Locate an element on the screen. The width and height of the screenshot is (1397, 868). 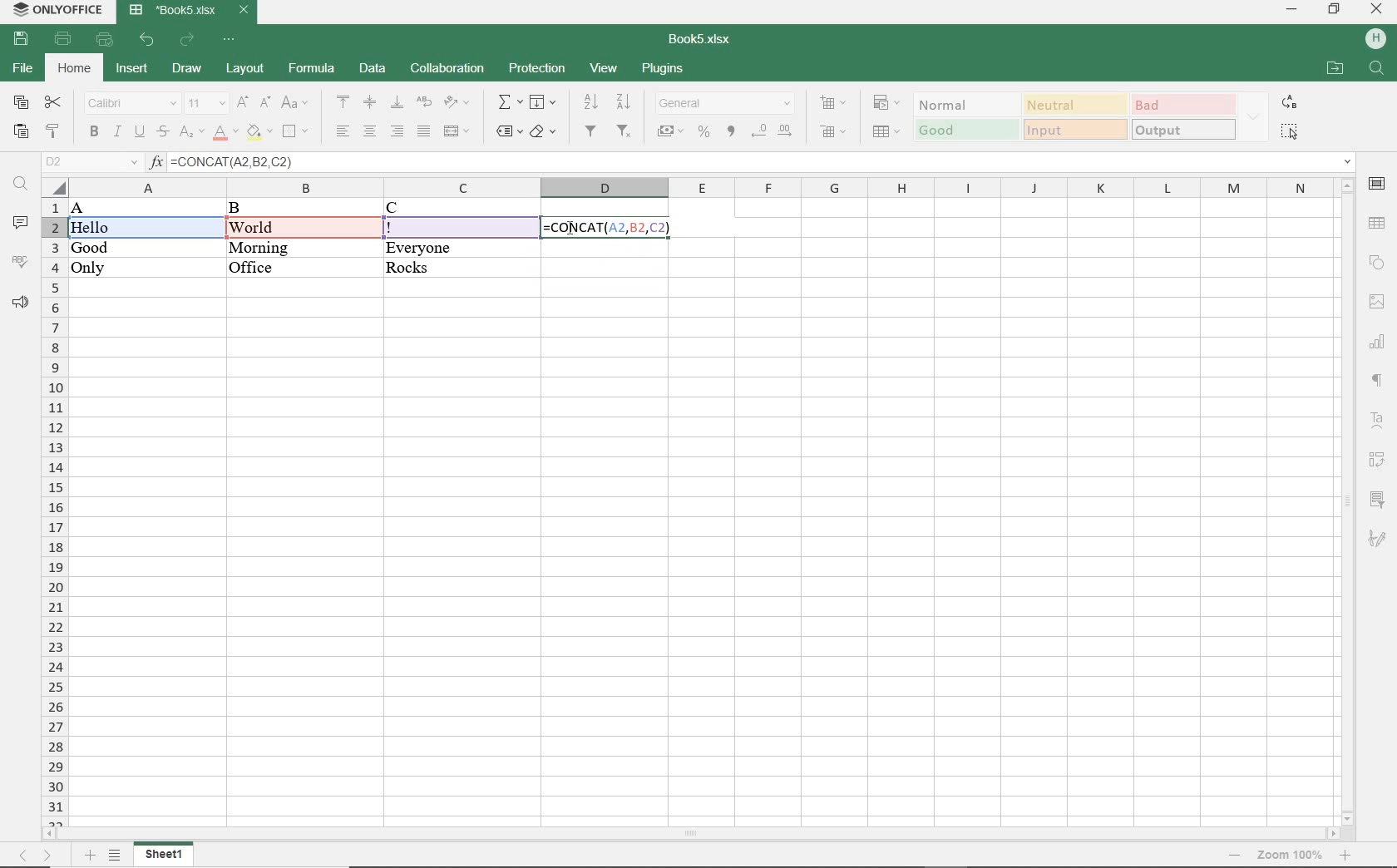
REDO is located at coordinates (187, 40).